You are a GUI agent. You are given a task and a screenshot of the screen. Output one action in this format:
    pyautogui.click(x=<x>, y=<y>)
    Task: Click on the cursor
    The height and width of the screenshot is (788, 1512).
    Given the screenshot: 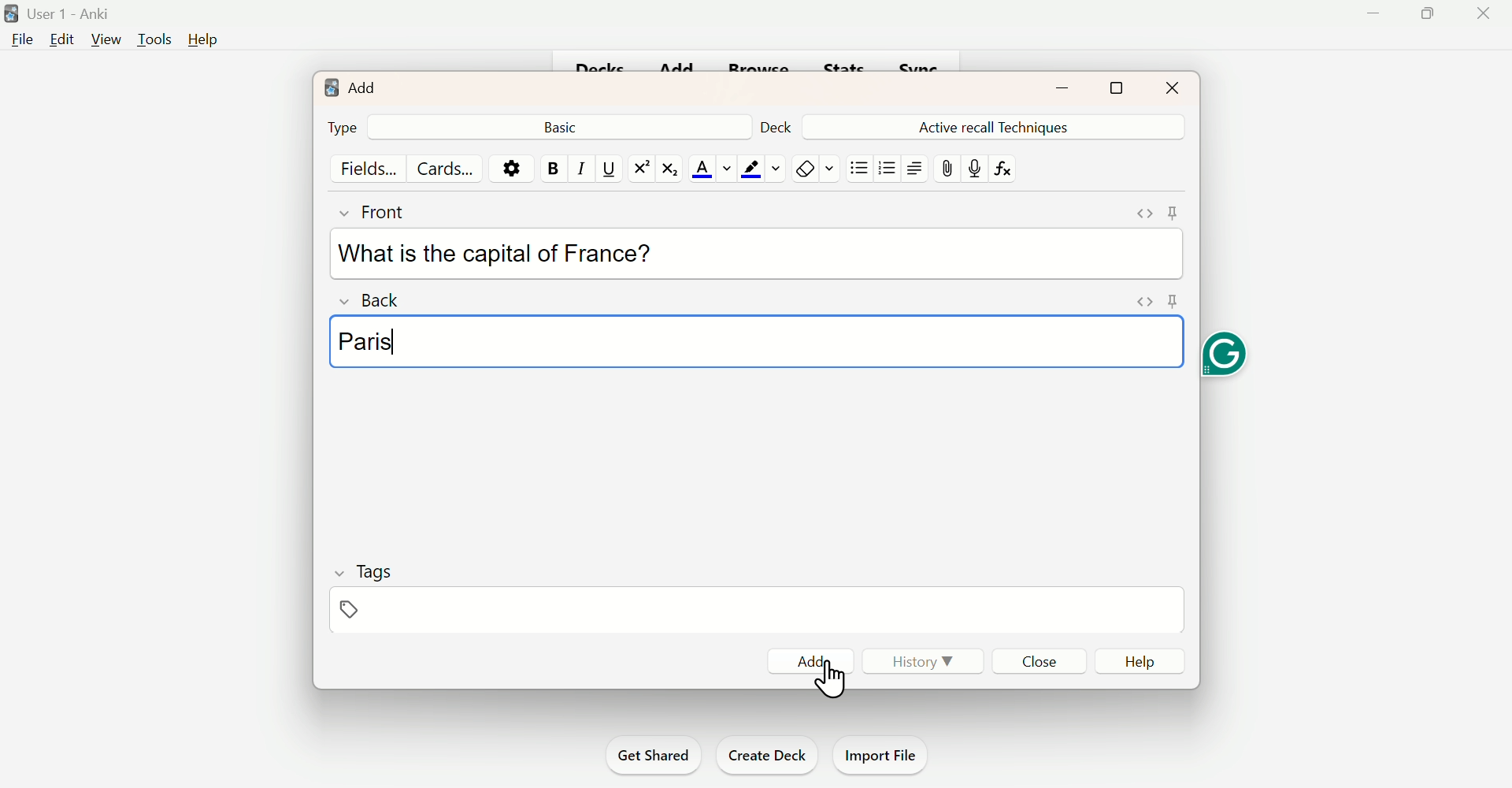 What is the action you would take?
    pyautogui.click(x=823, y=686)
    